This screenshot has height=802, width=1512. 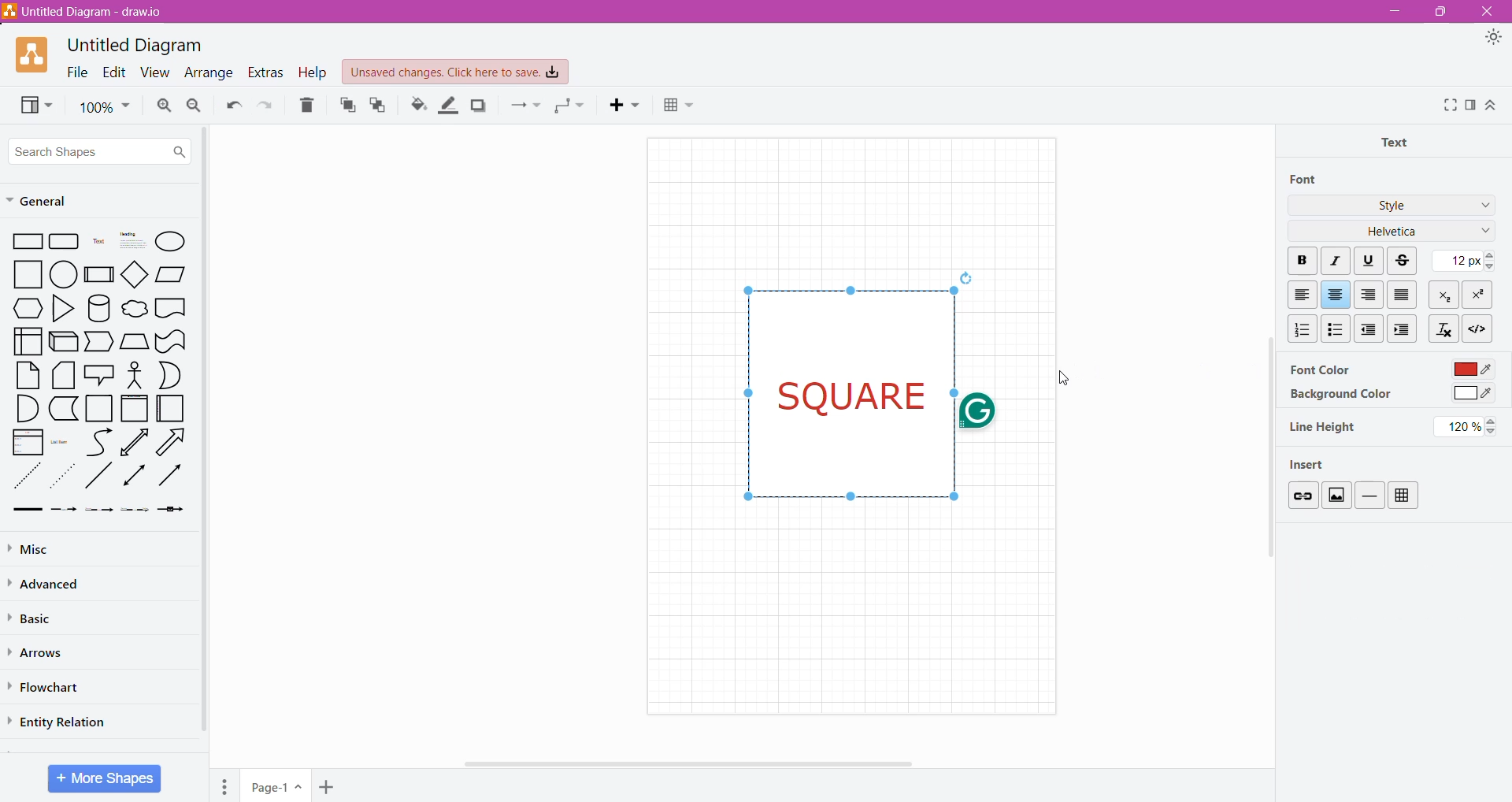 I want to click on cloud, so click(x=134, y=310).